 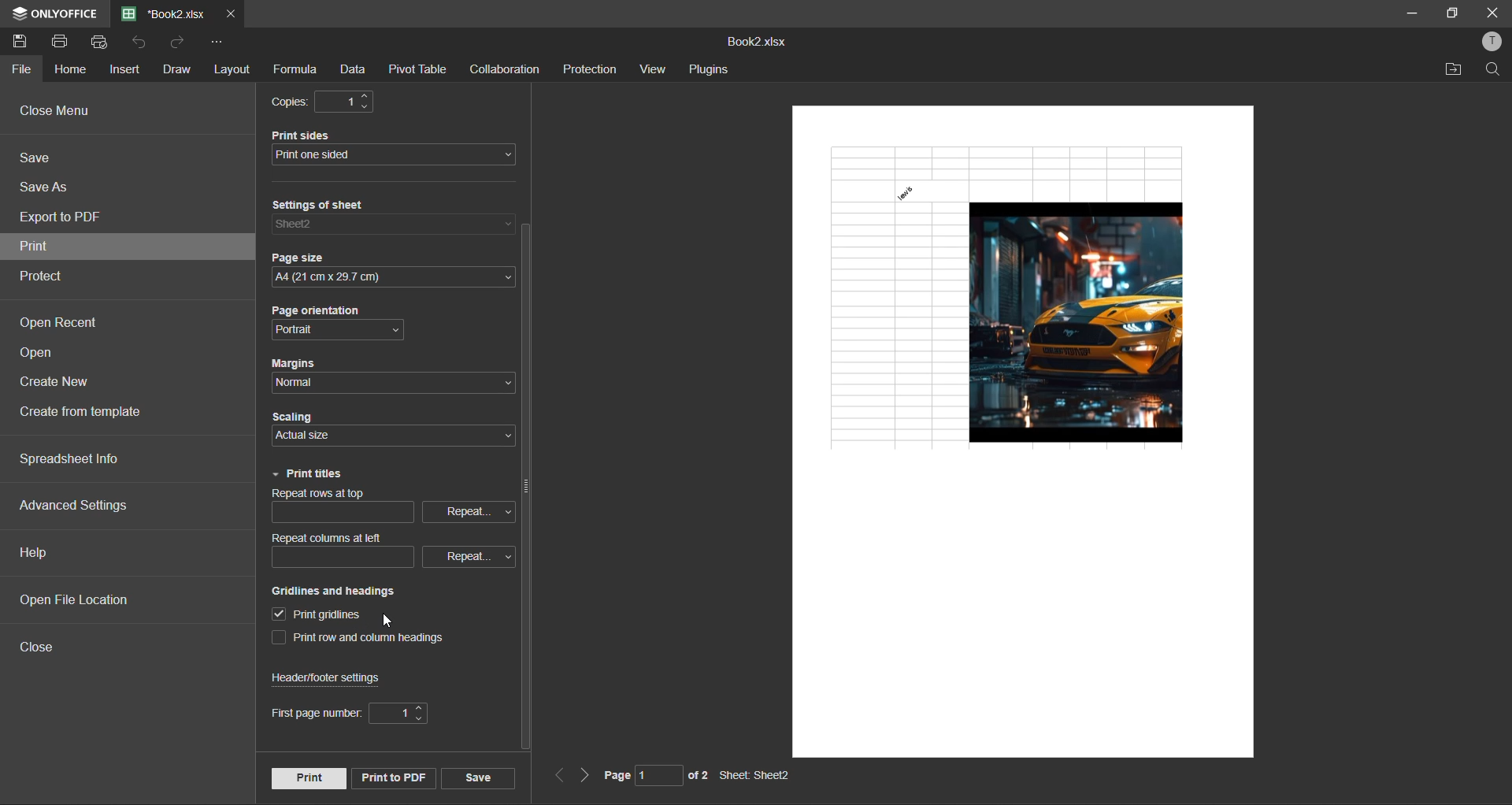 I want to click on minimize, so click(x=1411, y=15).